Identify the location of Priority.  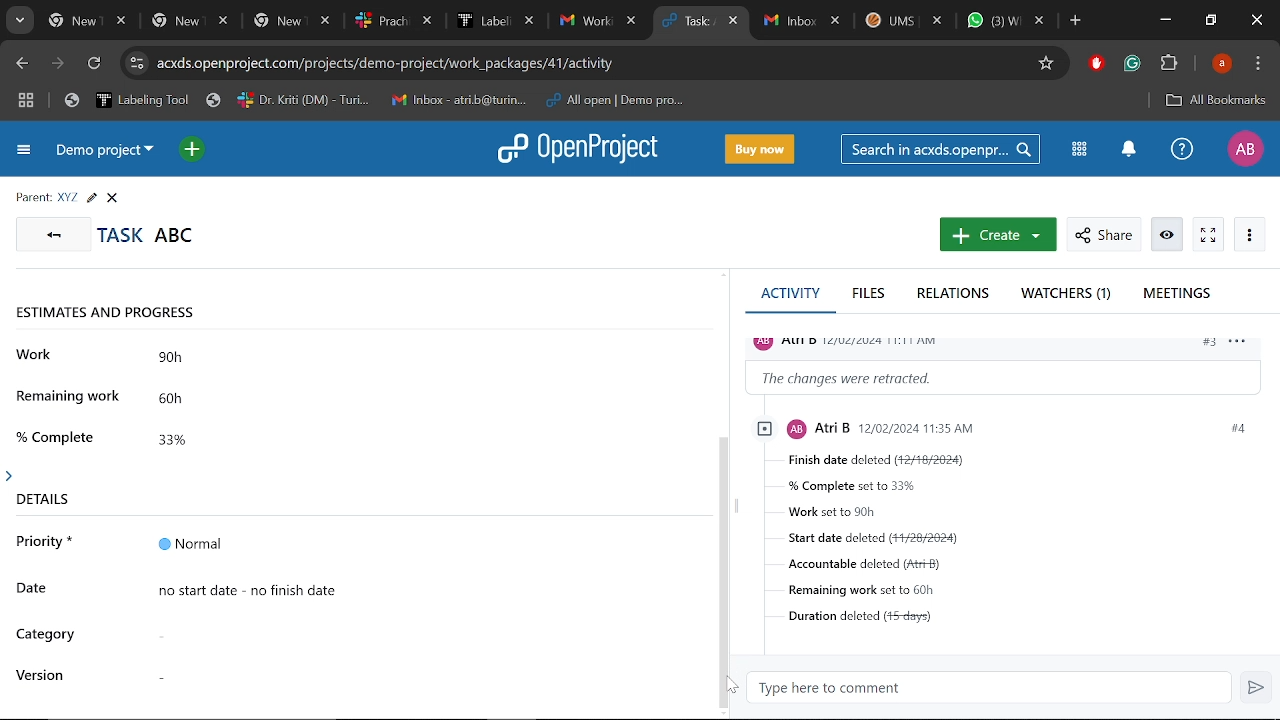
(423, 544).